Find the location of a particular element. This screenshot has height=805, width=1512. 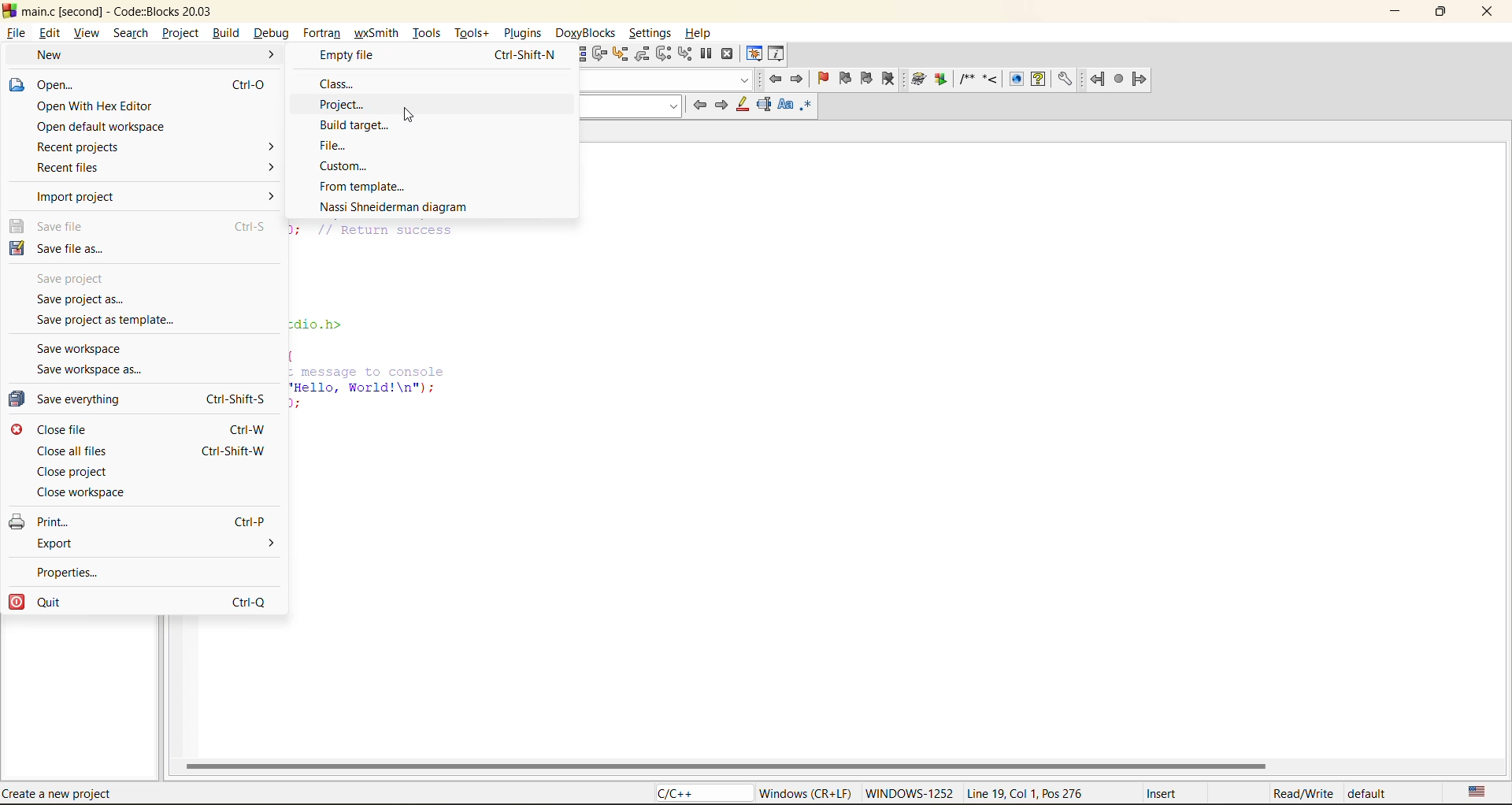

search is located at coordinates (632, 107).